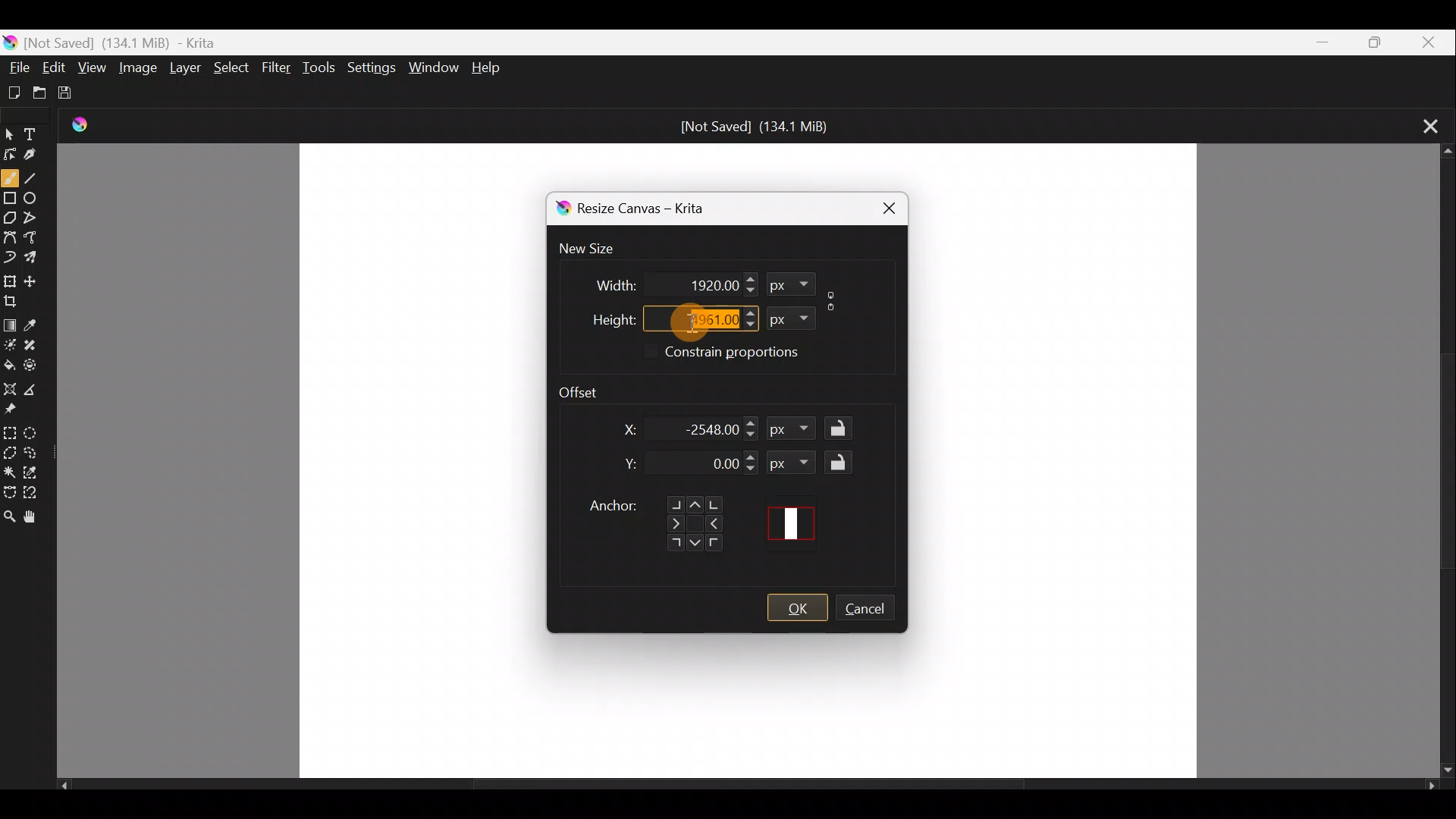  Describe the element at coordinates (12, 432) in the screenshot. I see `Rectangular selection tool` at that location.